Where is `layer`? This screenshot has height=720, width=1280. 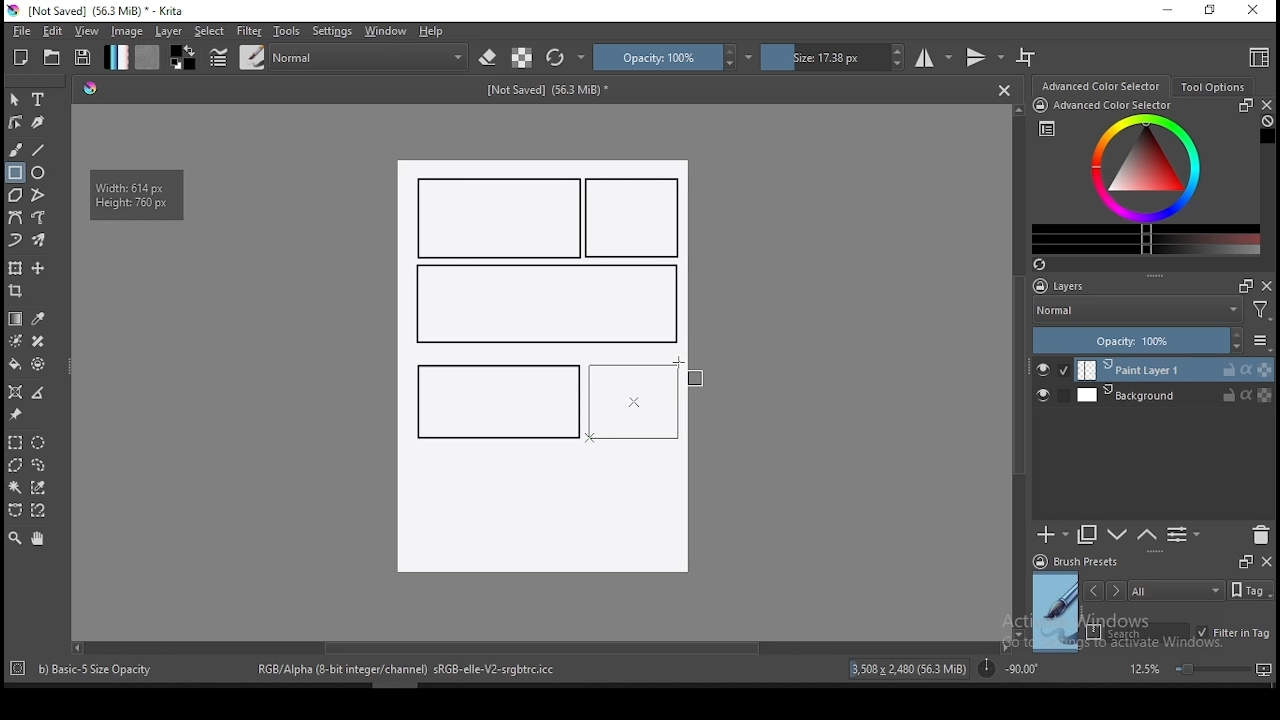 layer is located at coordinates (1174, 395).